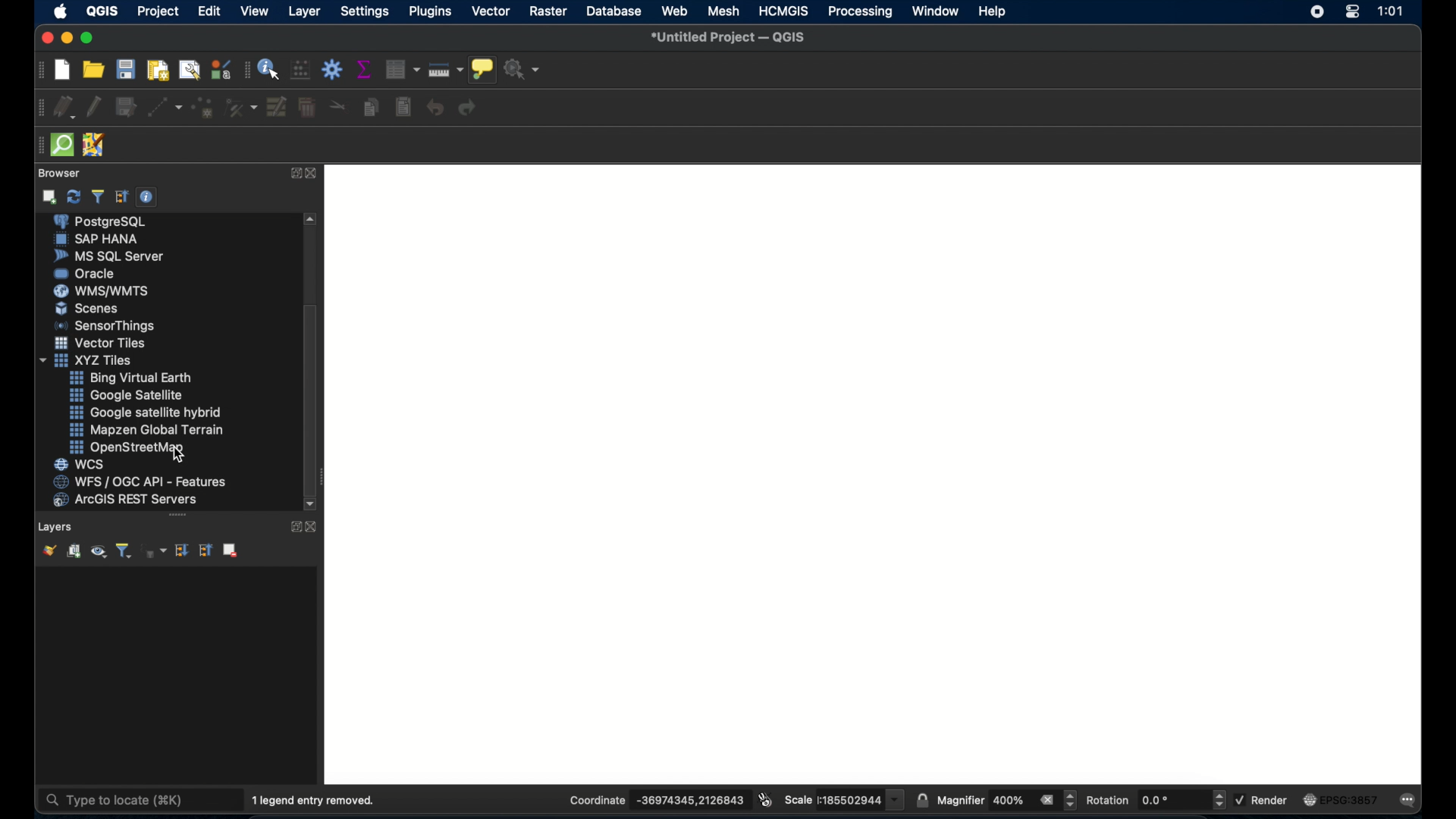 The image size is (1456, 819). I want to click on bing virtual earth, so click(131, 377).